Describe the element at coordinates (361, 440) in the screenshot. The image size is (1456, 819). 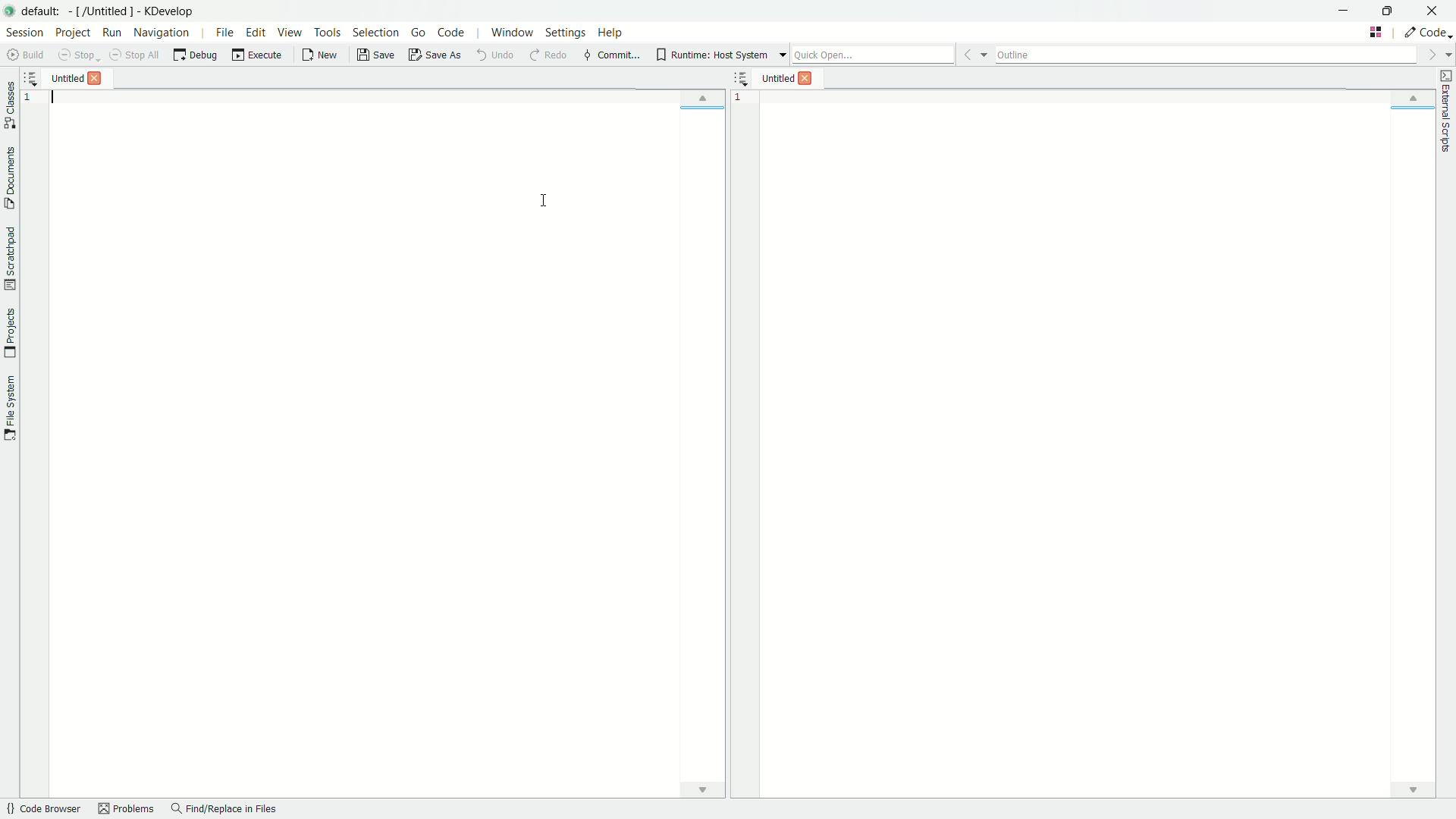
I see `file 1 workspace` at that location.